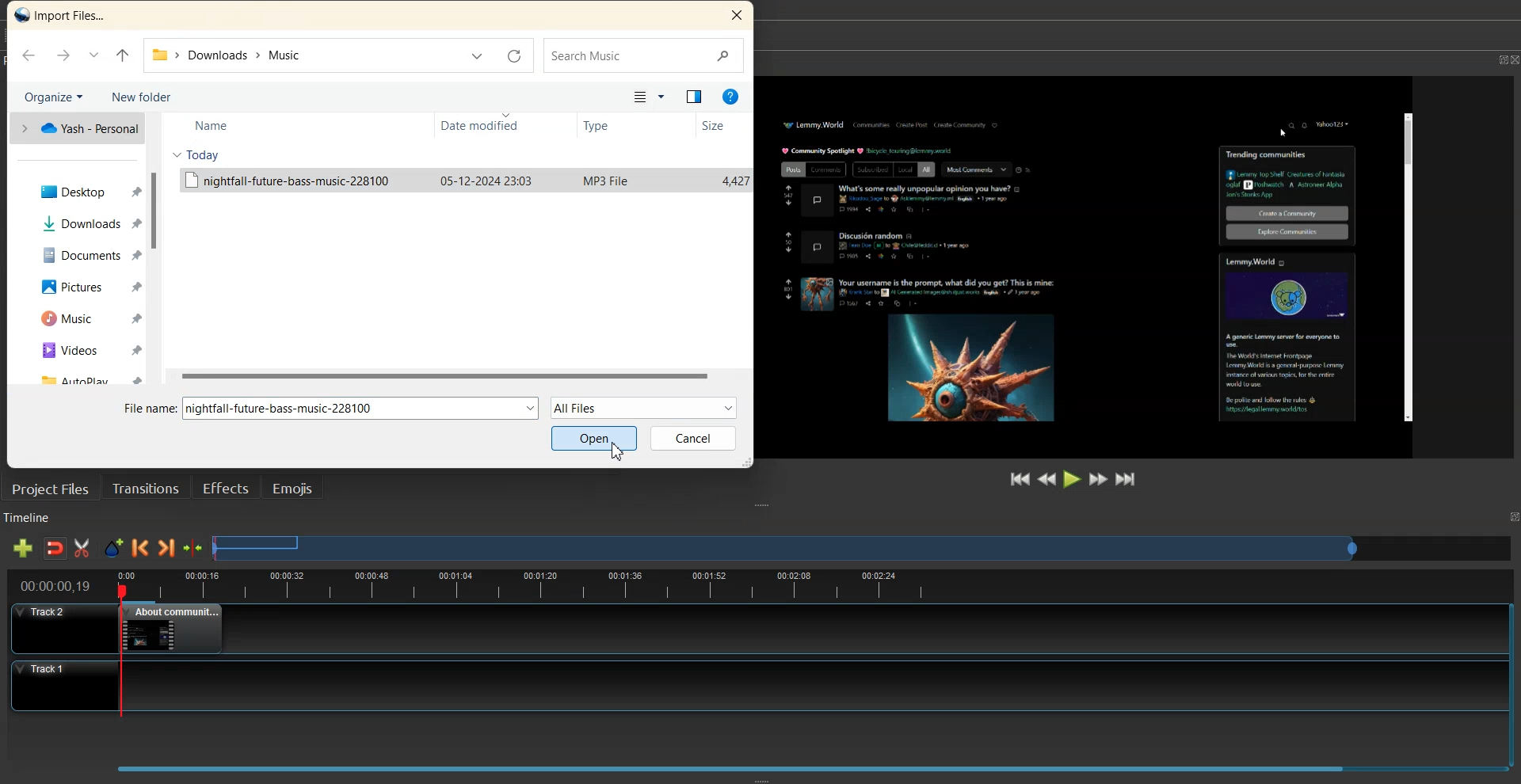  I want to click on Pictures, so click(76, 287).